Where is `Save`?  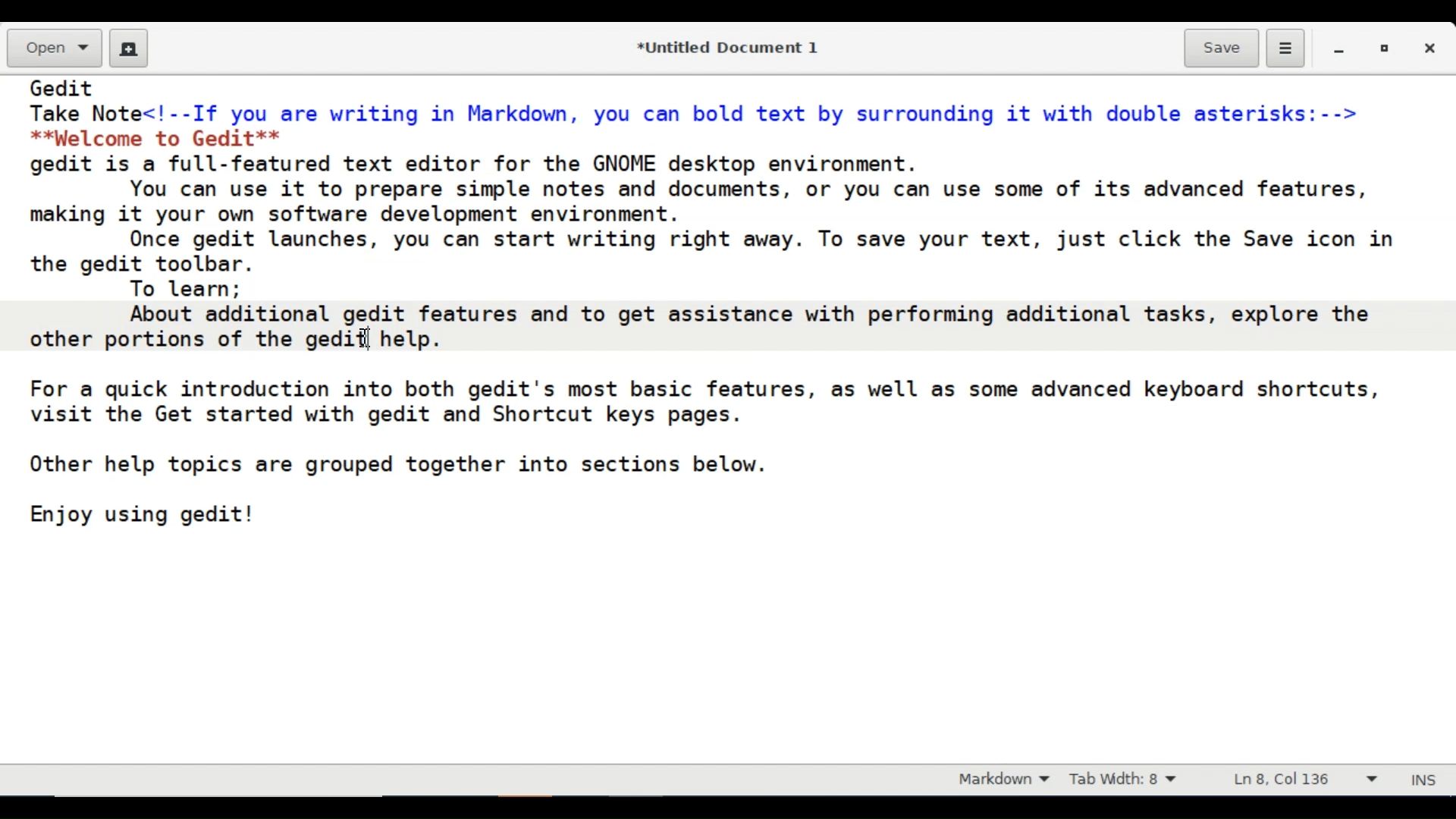 Save is located at coordinates (1222, 47).